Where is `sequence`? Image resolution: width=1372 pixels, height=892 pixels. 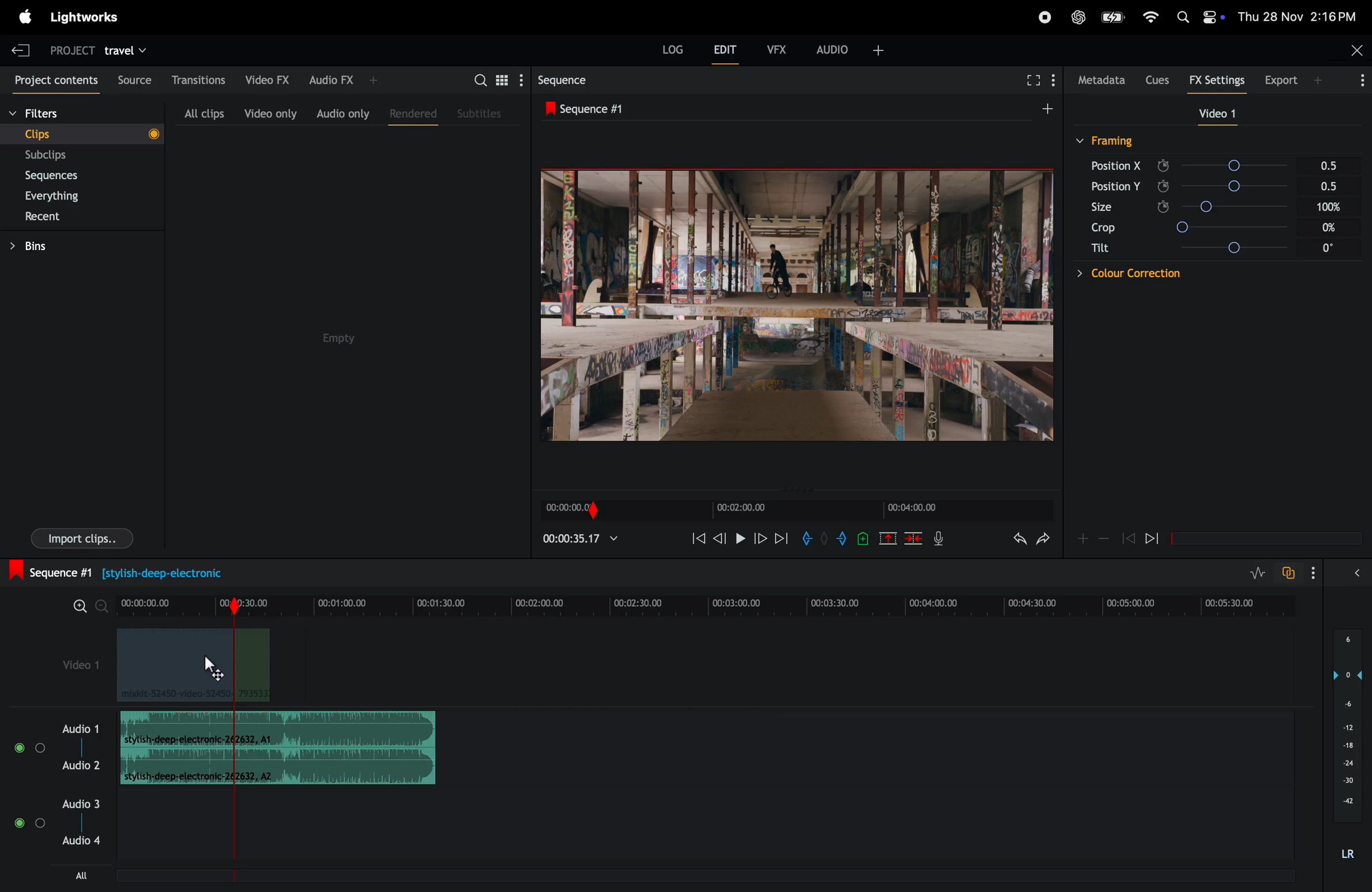
sequence is located at coordinates (575, 80).